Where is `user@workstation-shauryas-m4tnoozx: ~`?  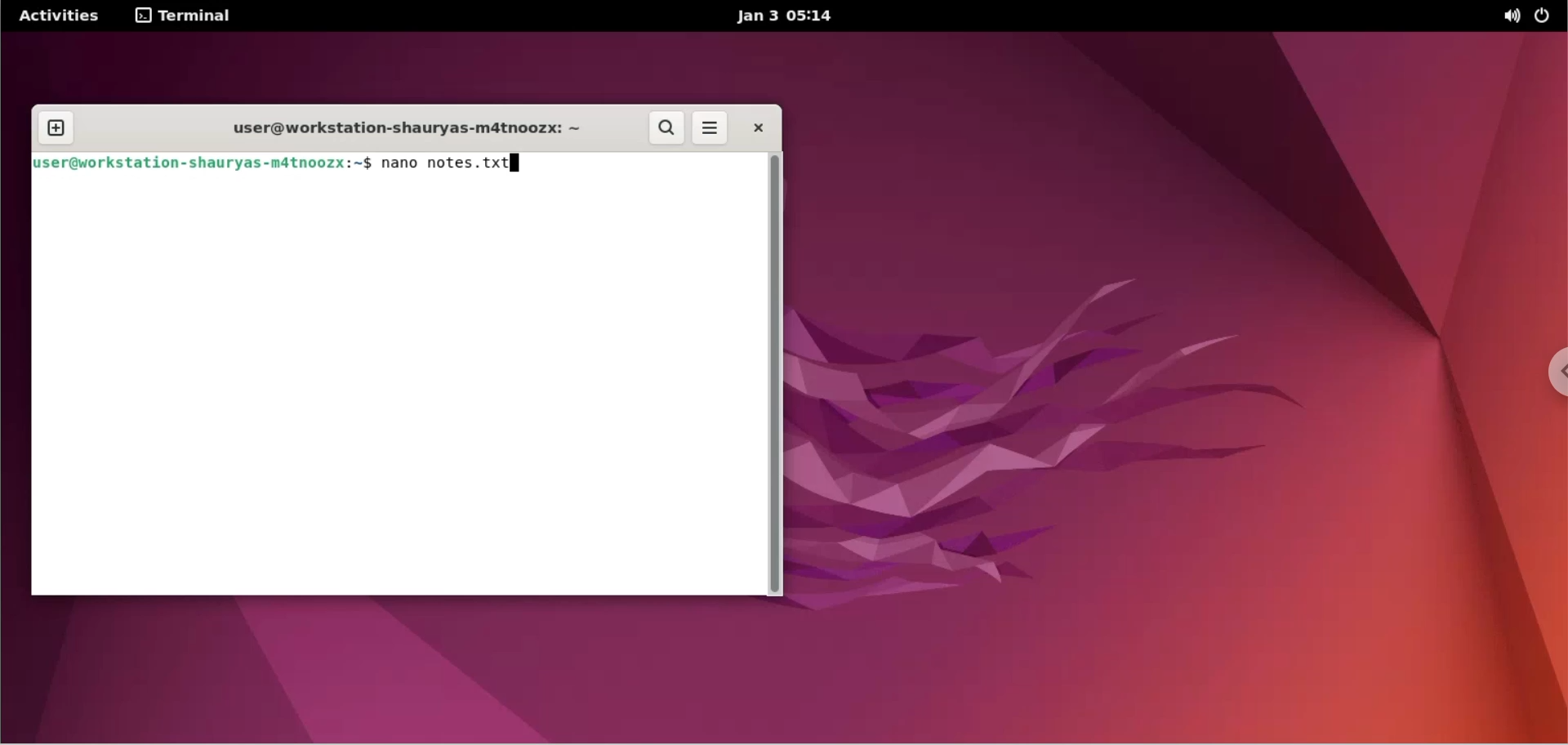 user@workstation-shauryas-m4tnoozx: ~ is located at coordinates (394, 128).